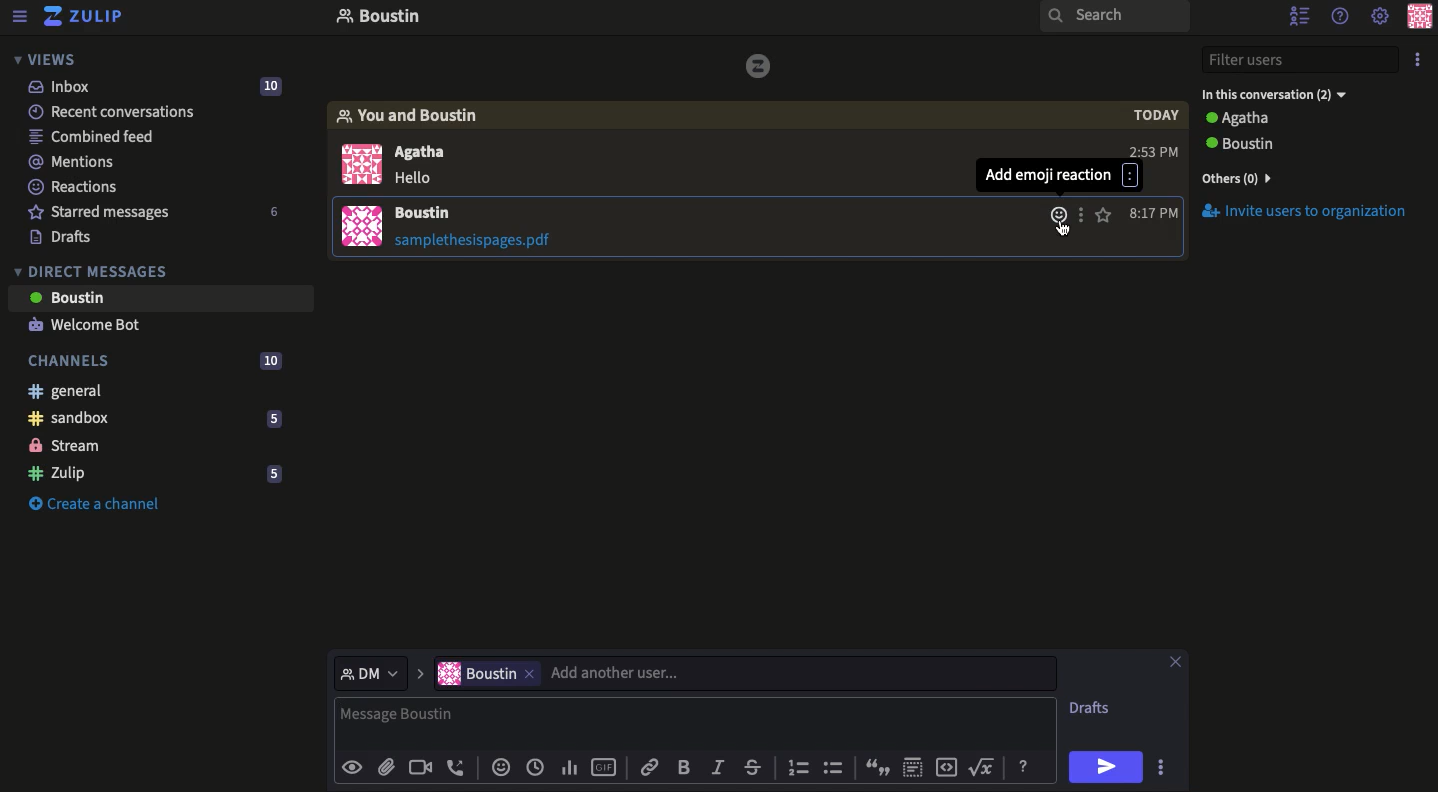 This screenshot has width=1438, height=792. Describe the element at coordinates (354, 768) in the screenshot. I see `Preview` at that location.